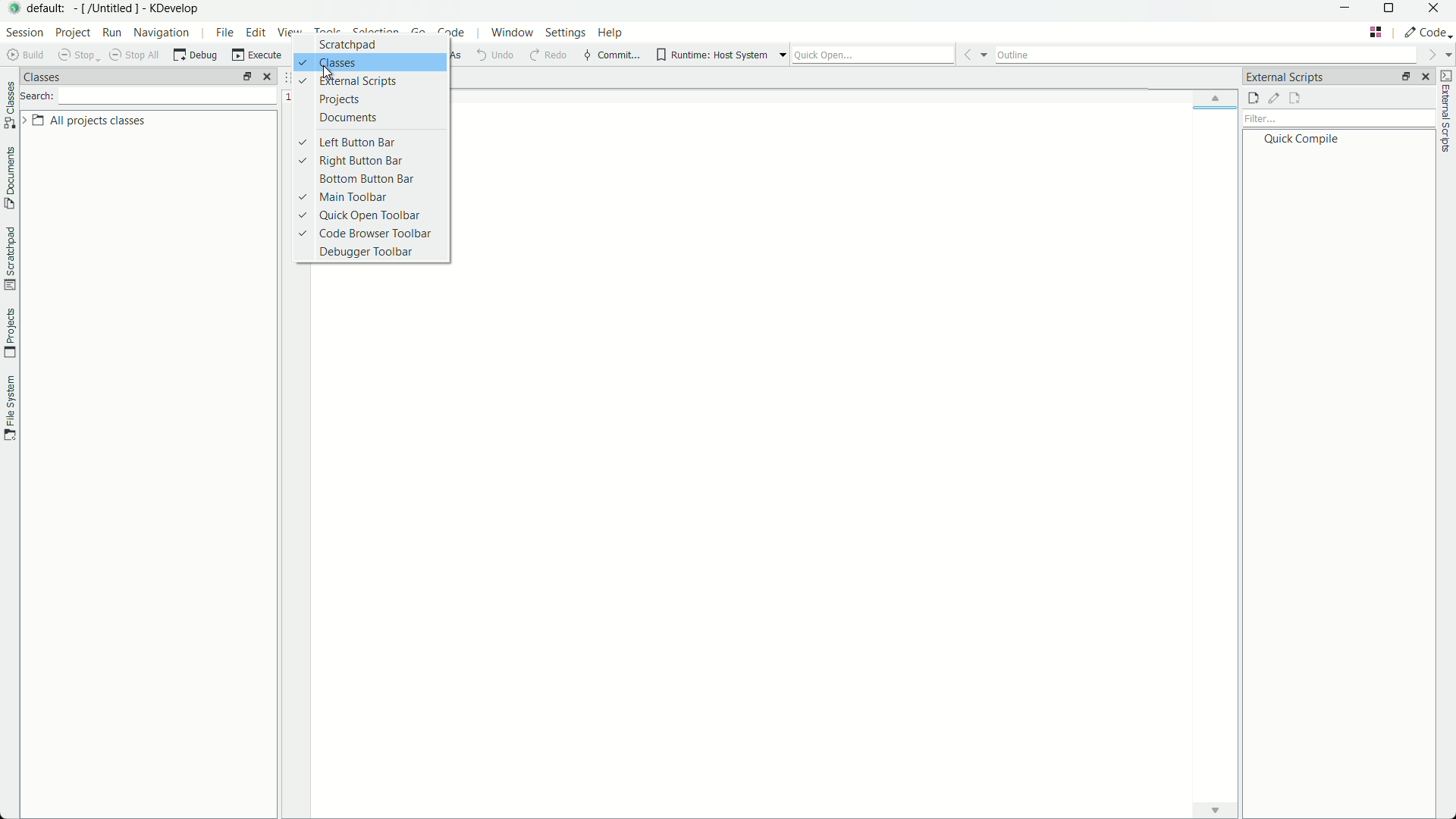 The height and width of the screenshot is (819, 1456). Describe the element at coordinates (271, 78) in the screenshot. I see `close pane` at that location.